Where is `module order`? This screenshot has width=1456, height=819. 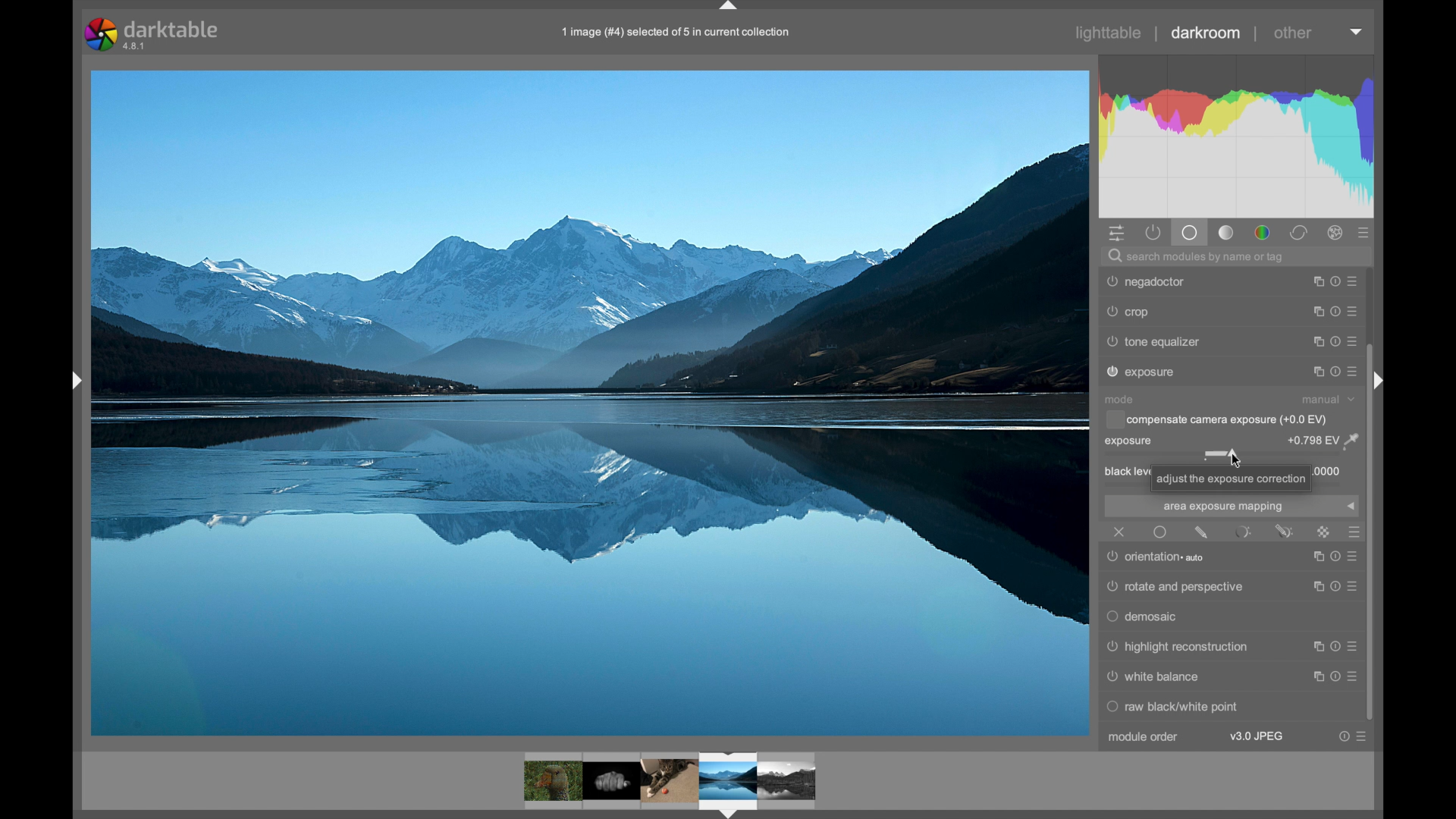
module order is located at coordinates (1144, 737).